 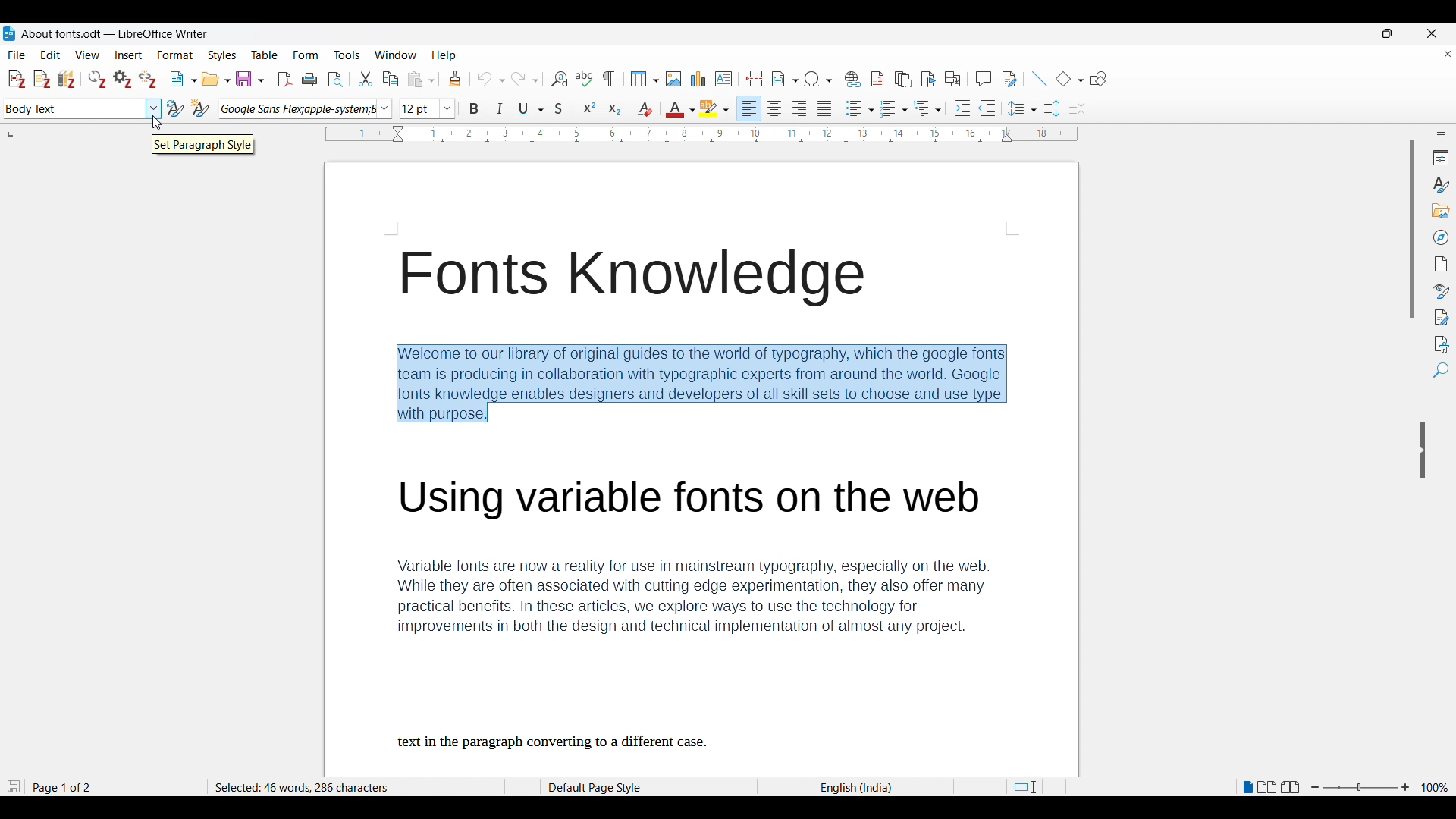 I want to click on Add note, so click(x=42, y=80).